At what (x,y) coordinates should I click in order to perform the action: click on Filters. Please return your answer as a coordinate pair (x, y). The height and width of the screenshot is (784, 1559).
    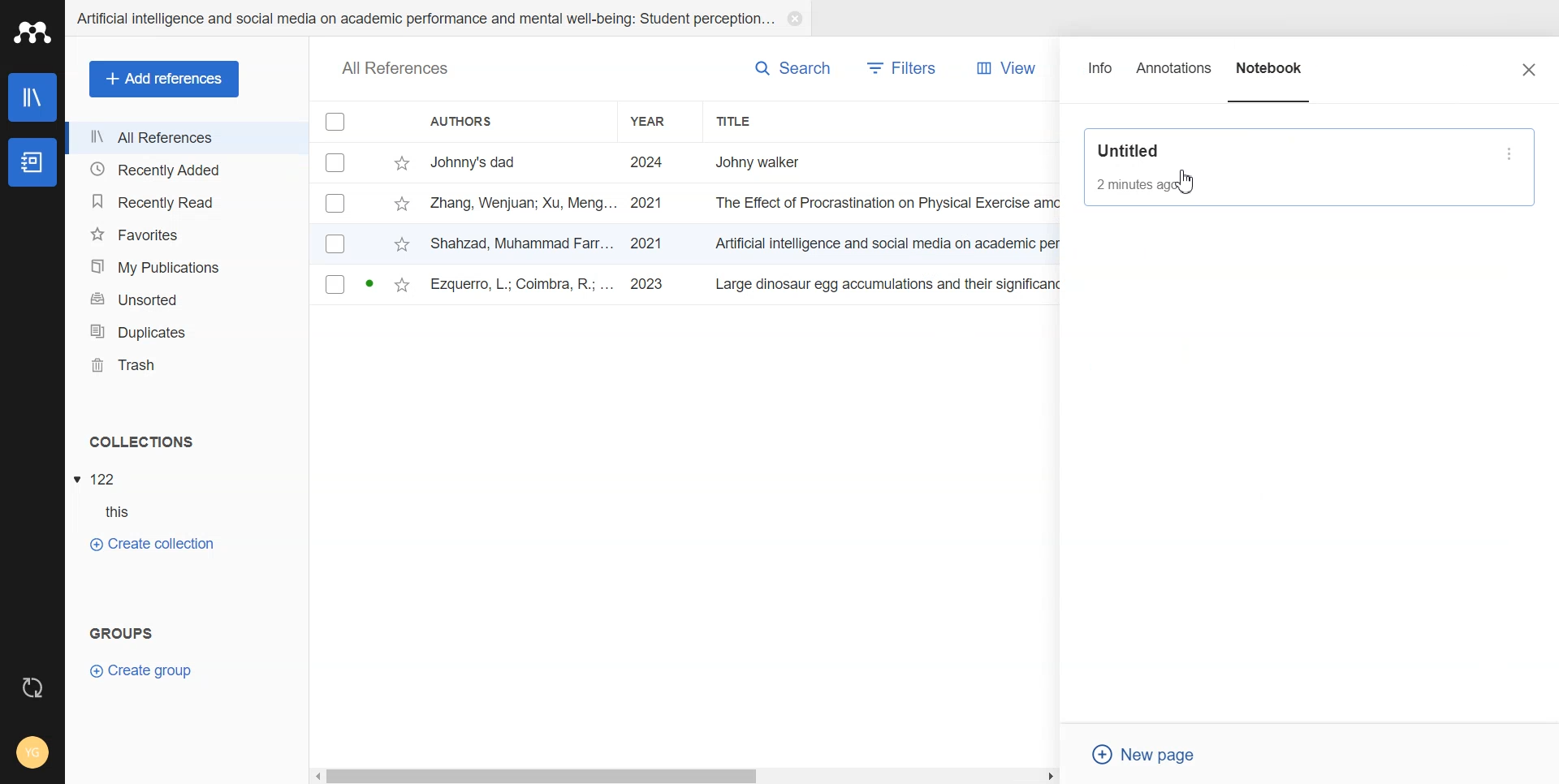
    Looking at the image, I should click on (903, 68).